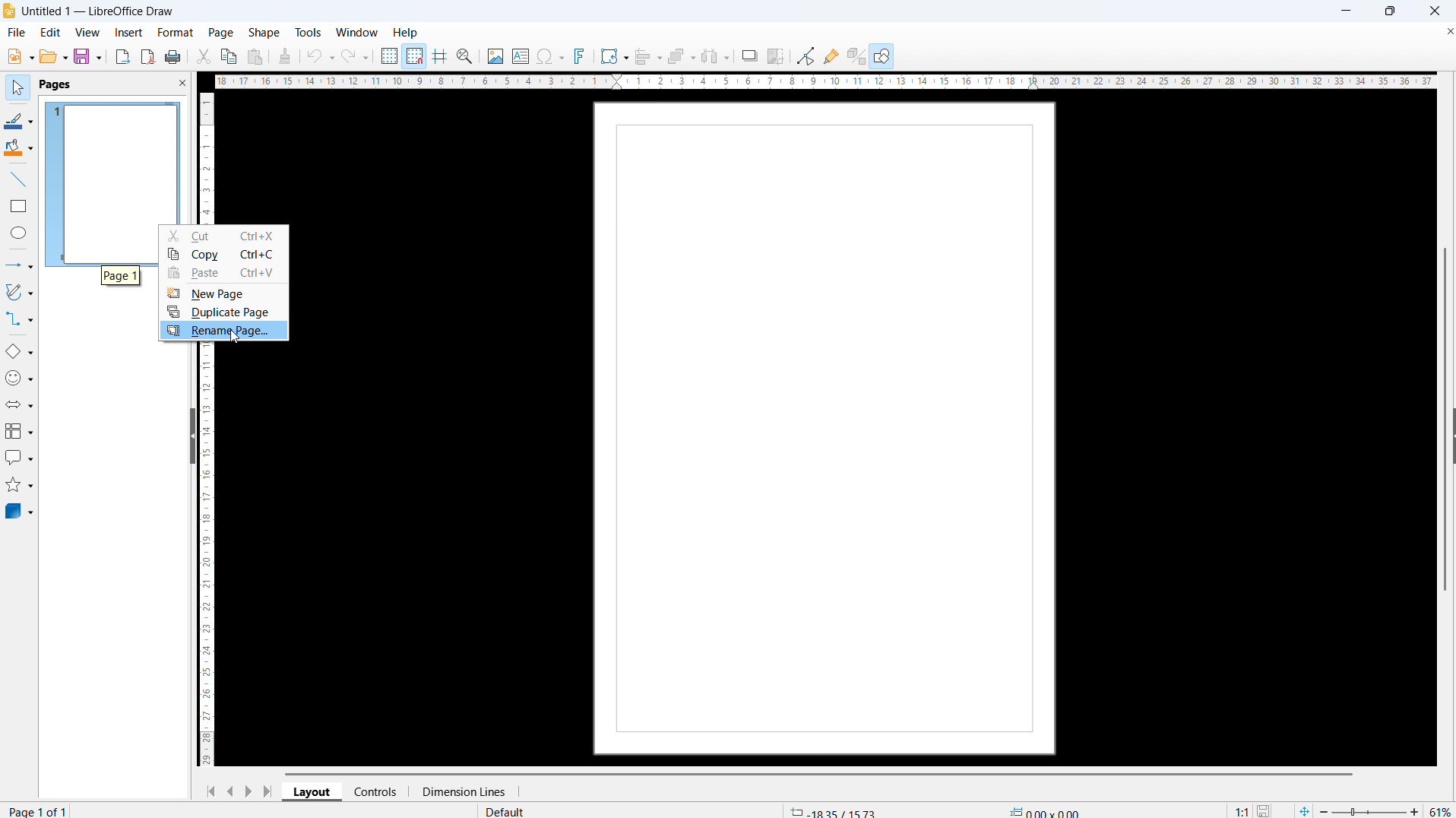  I want to click on toggle point edit mode, so click(806, 55).